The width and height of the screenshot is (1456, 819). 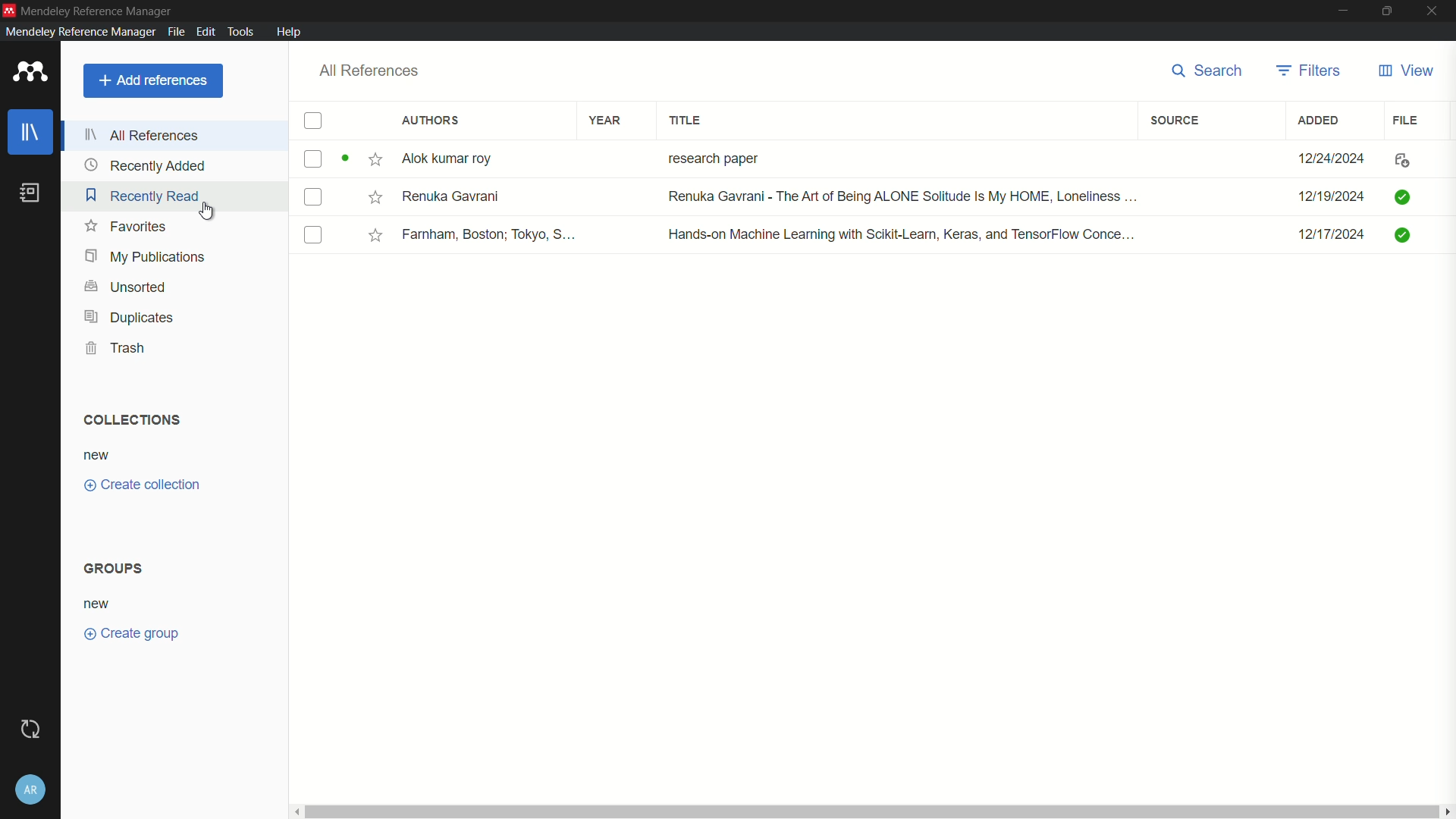 What do you see at coordinates (312, 160) in the screenshot?
I see `(un)select` at bounding box center [312, 160].